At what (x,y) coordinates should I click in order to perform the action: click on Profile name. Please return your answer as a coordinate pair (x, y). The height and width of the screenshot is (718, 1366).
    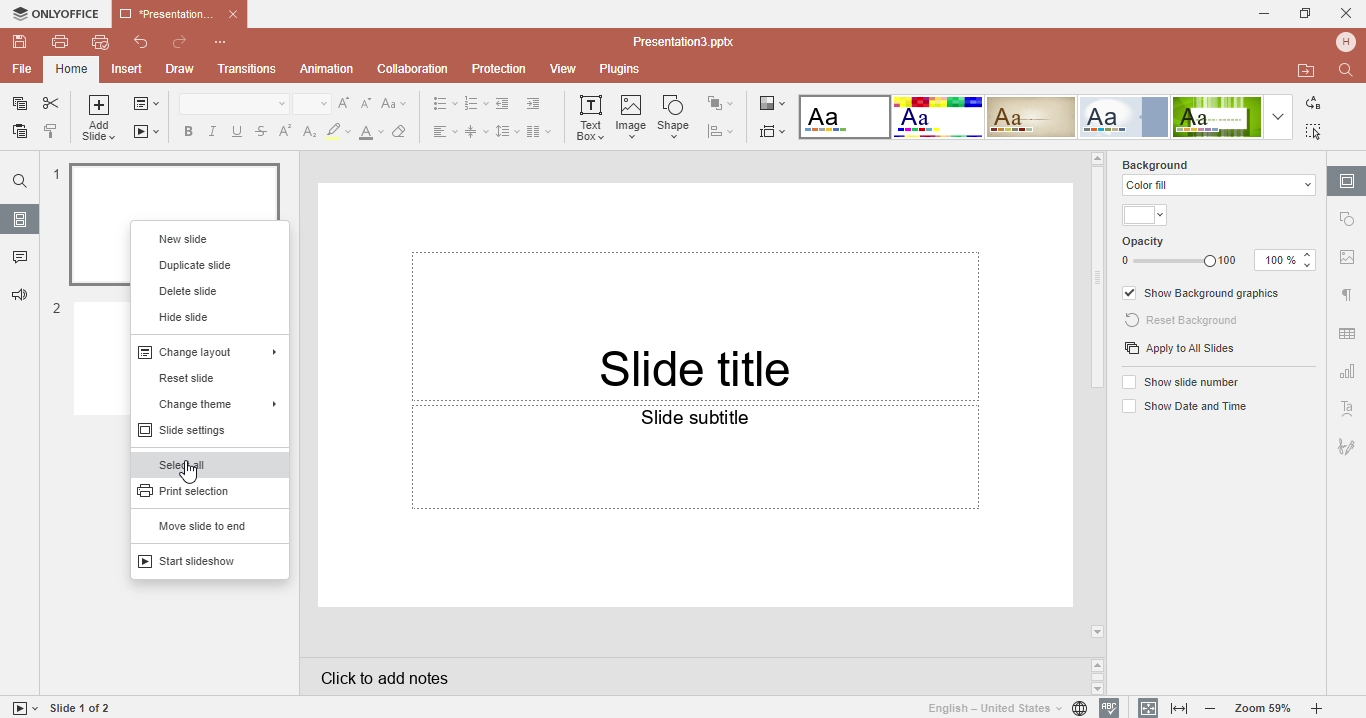
    Looking at the image, I should click on (1348, 41).